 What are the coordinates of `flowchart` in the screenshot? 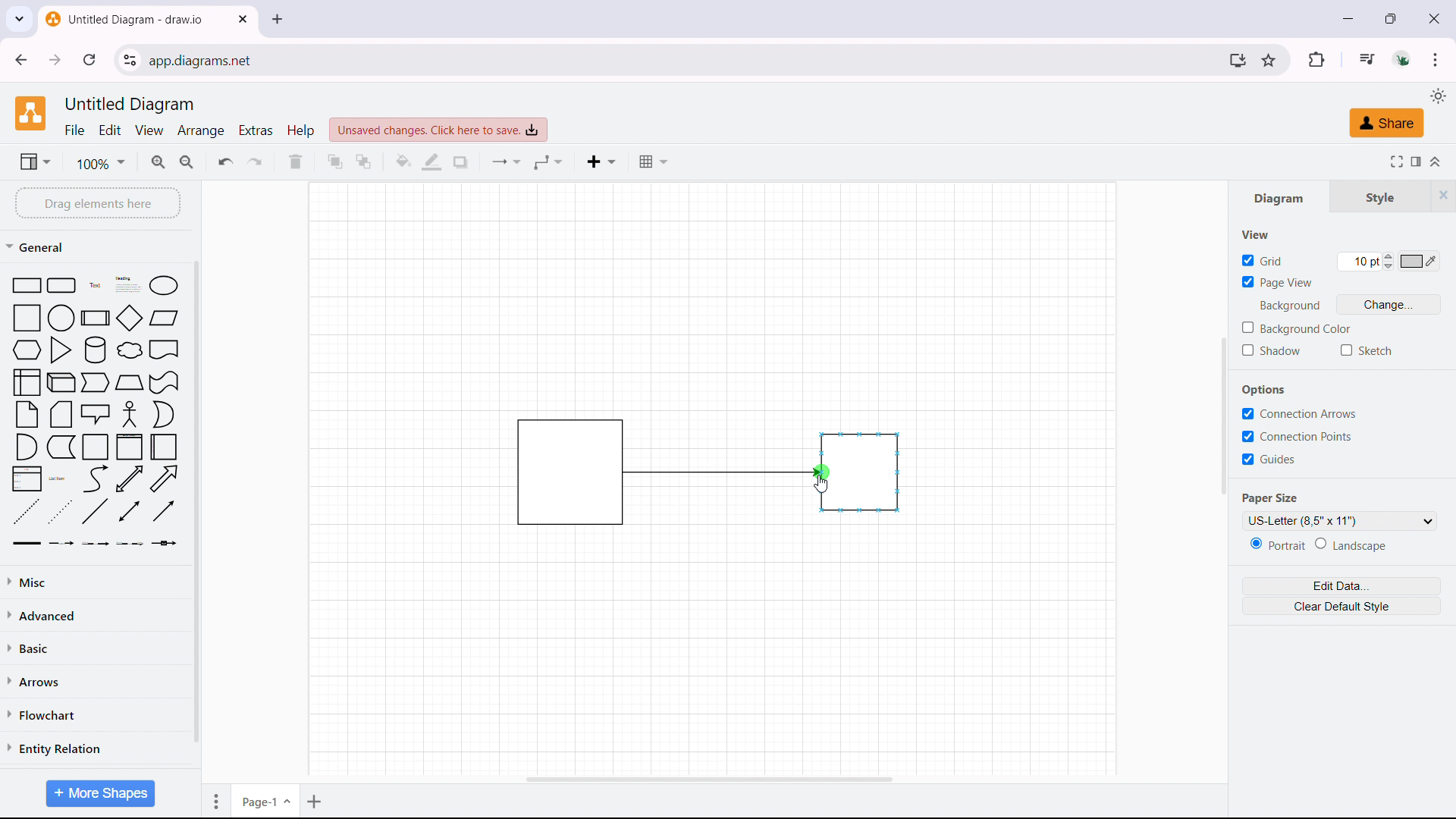 It's located at (95, 714).